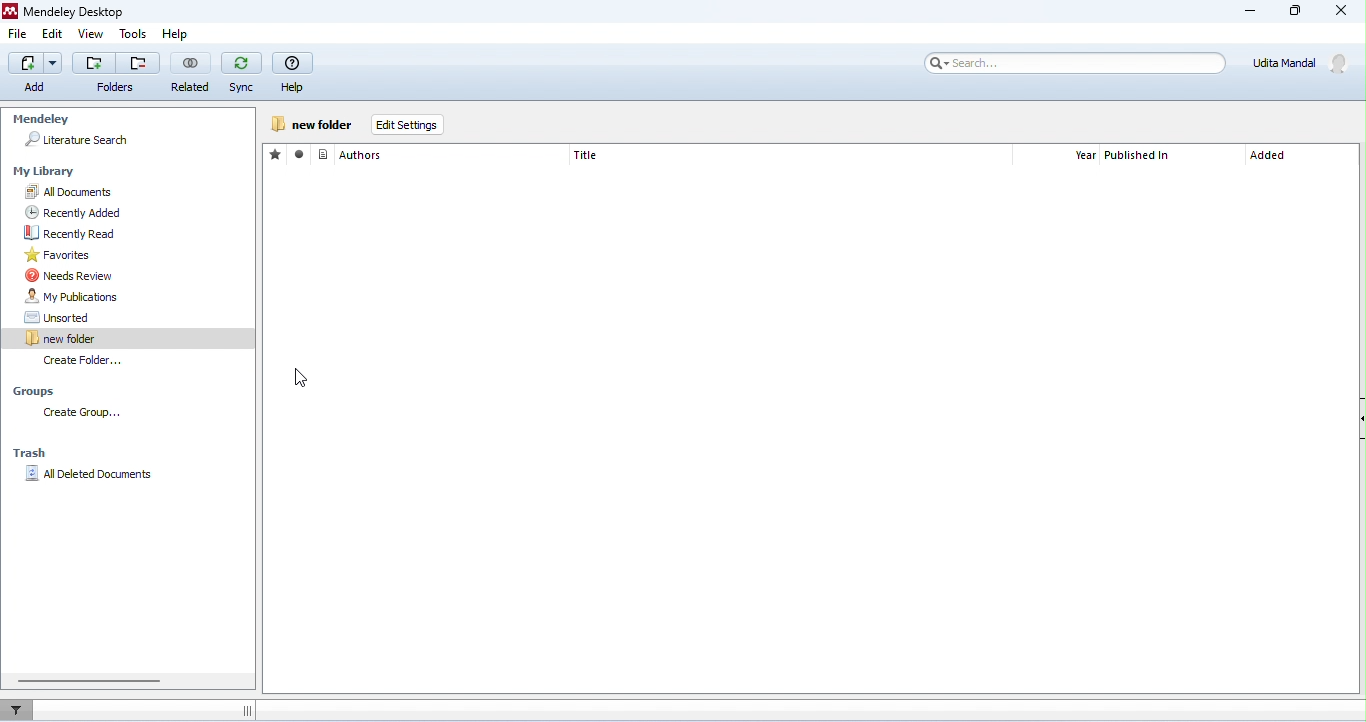 The height and width of the screenshot is (722, 1366). What do you see at coordinates (301, 377) in the screenshot?
I see `cursor` at bounding box center [301, 377].